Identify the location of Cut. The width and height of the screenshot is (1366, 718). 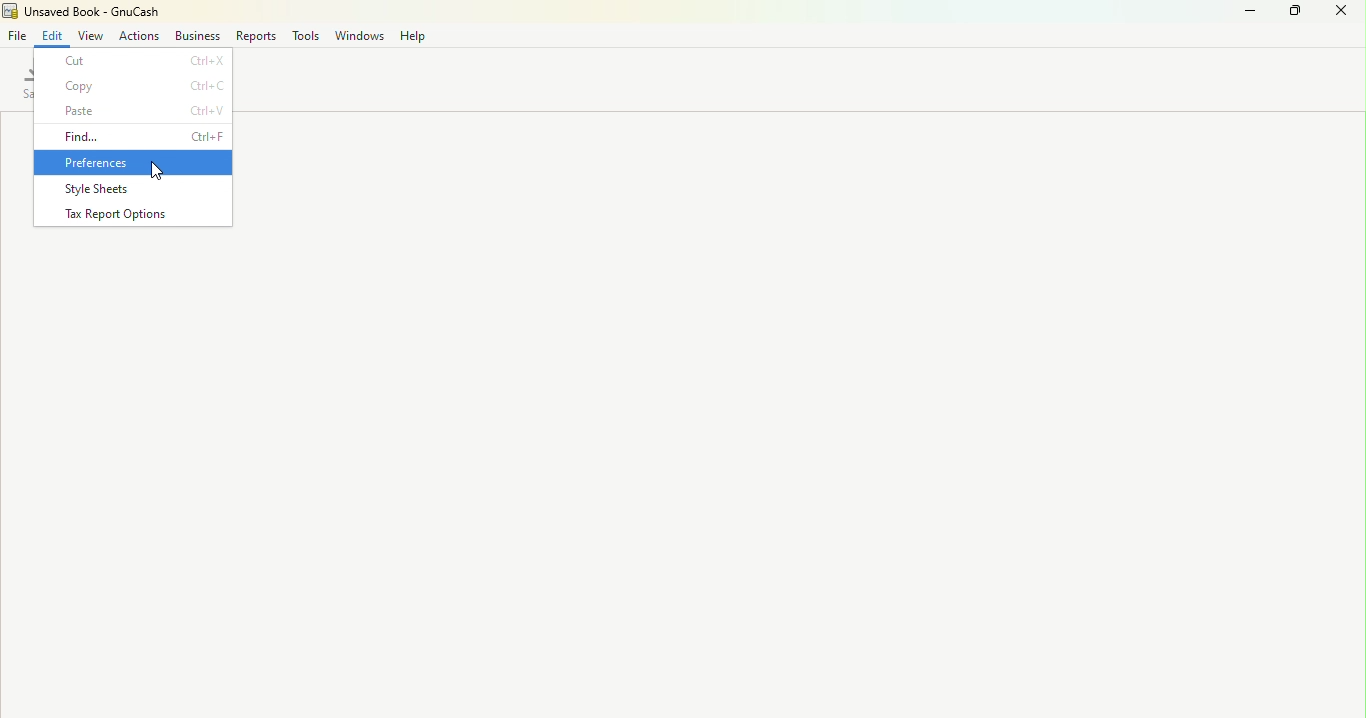
(135, 60).